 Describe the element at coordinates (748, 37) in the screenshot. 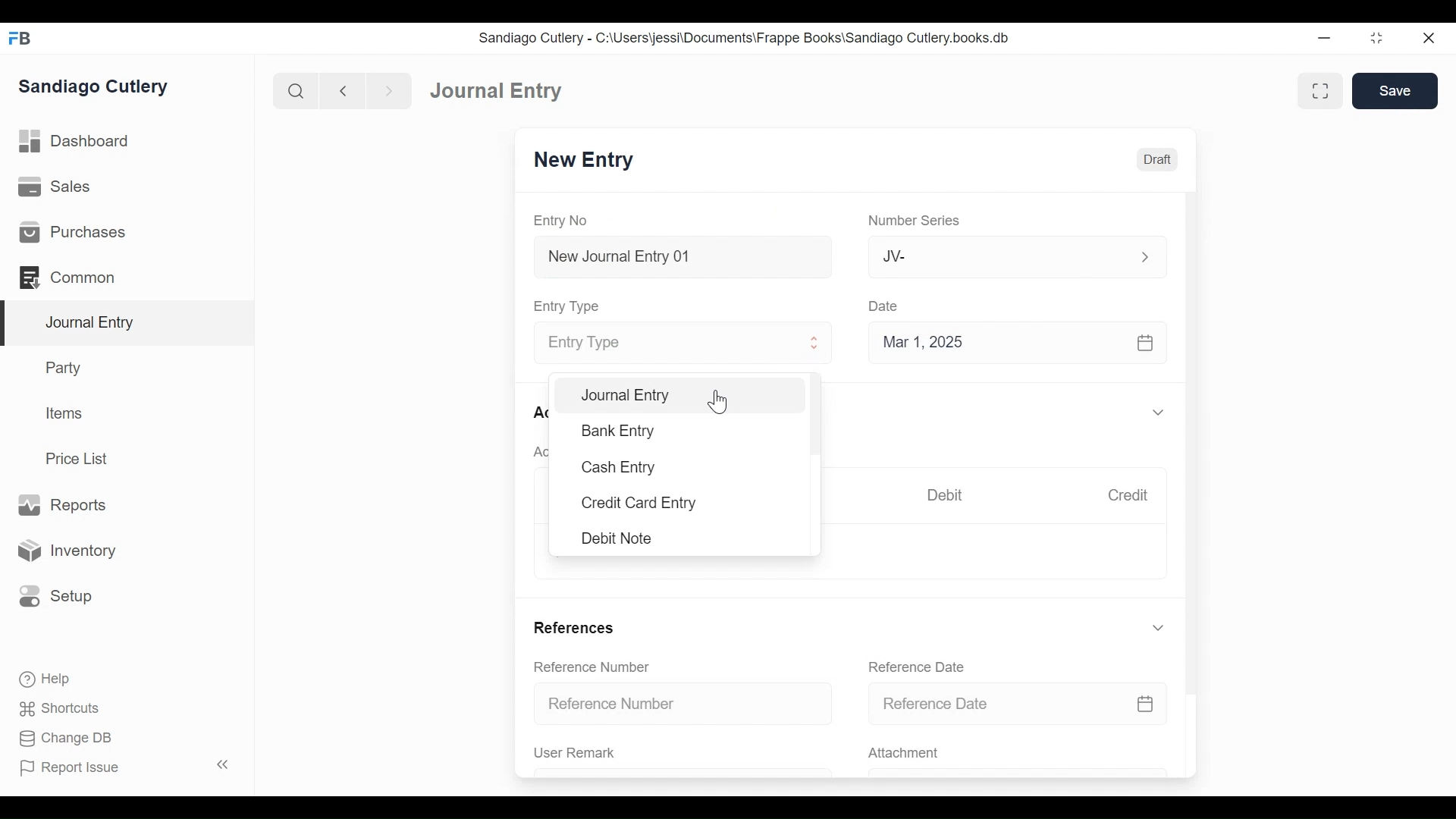

I see `Sandiago Cutlery - C:\Users\jessi\Documents\Frappe Books\Sandiago Cutlery.books.db` at that location.